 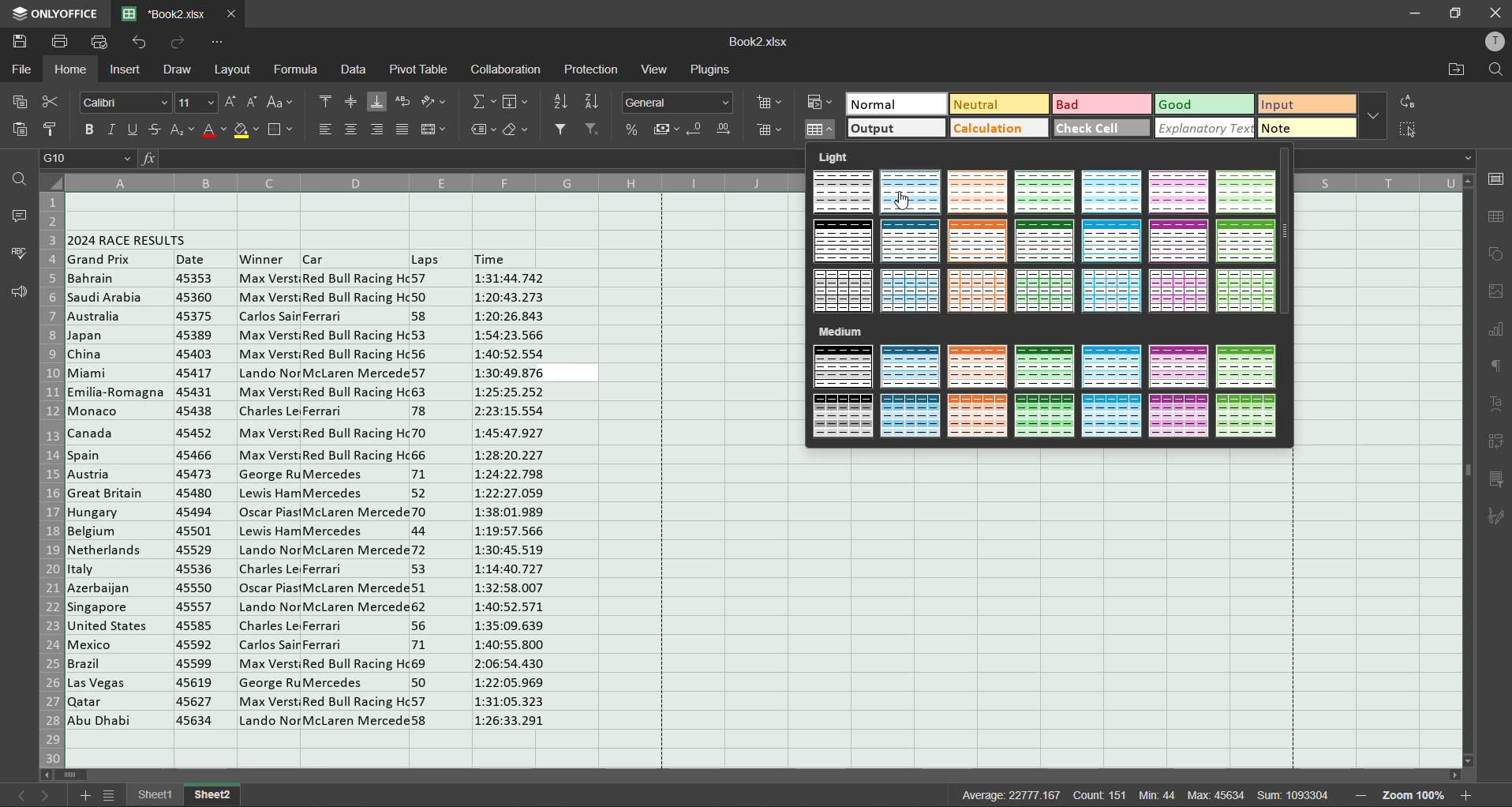 What do you see at coordinates (352, 72) in the screenshot?
I see `data` at bounding box center [352, 72].